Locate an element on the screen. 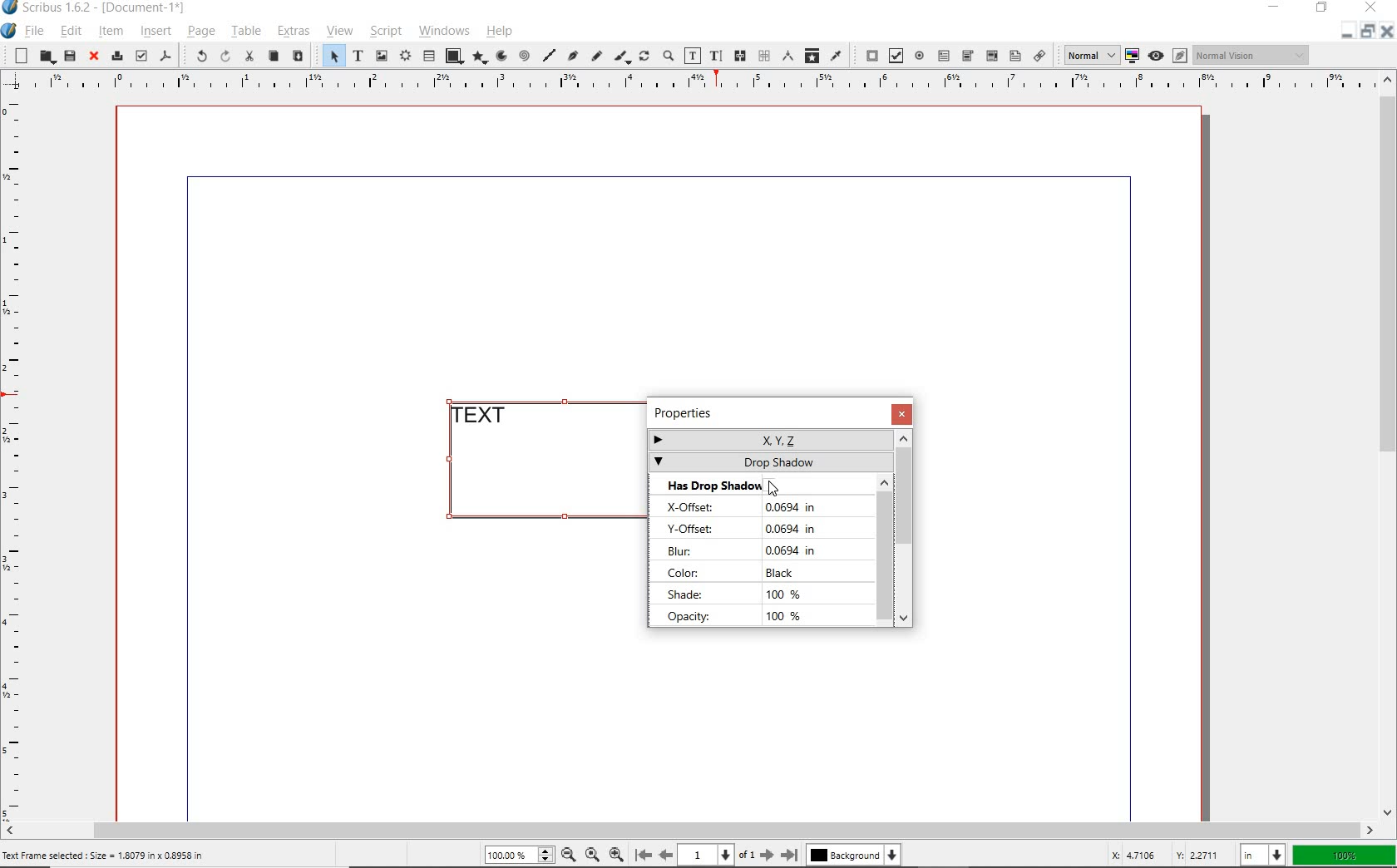 The width and height of the screenshot is (1397, 868). pdf combo box is located at coordinates (967, 57).